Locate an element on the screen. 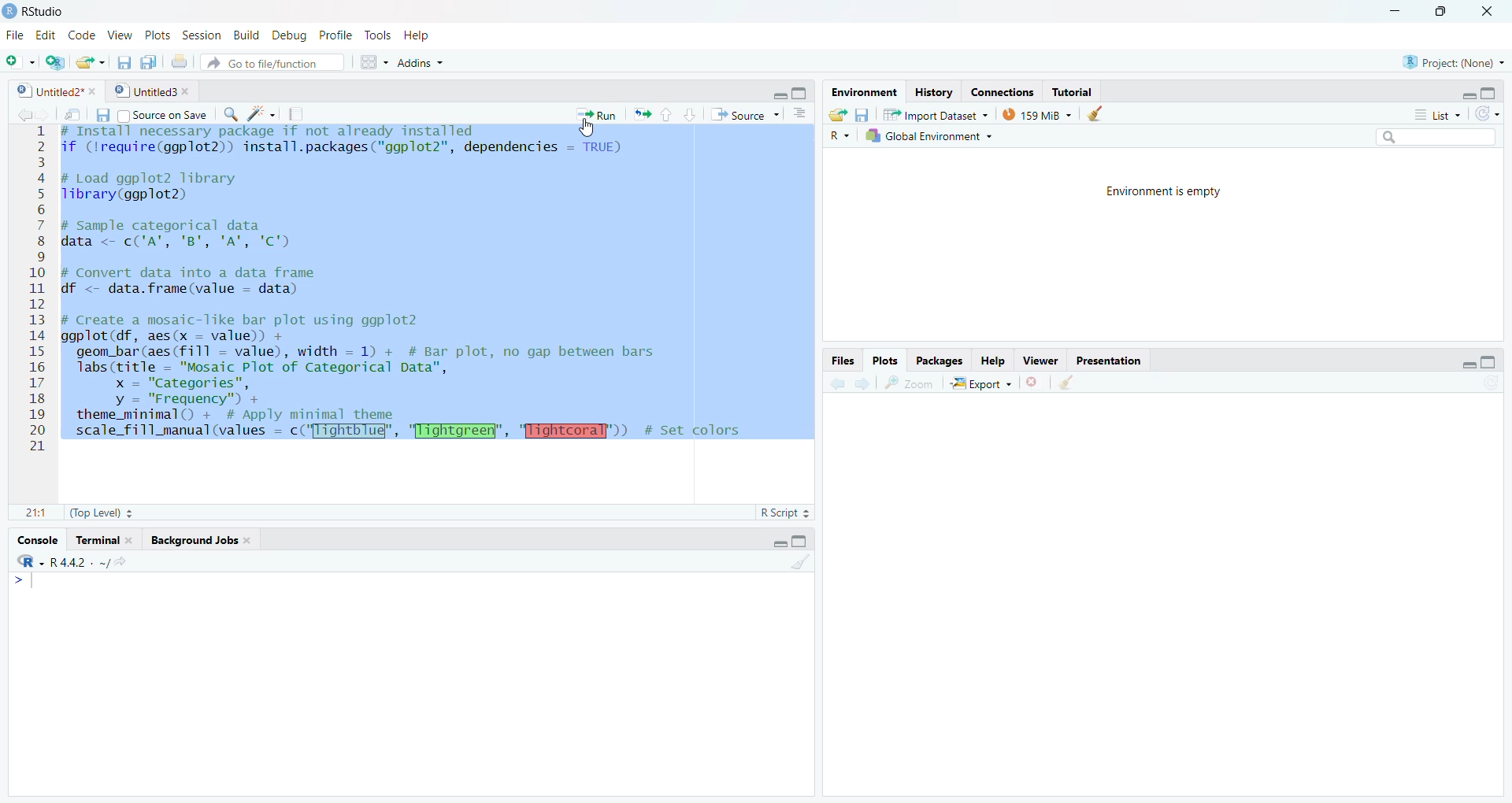  Show directory is located at coordinates (120, 563).